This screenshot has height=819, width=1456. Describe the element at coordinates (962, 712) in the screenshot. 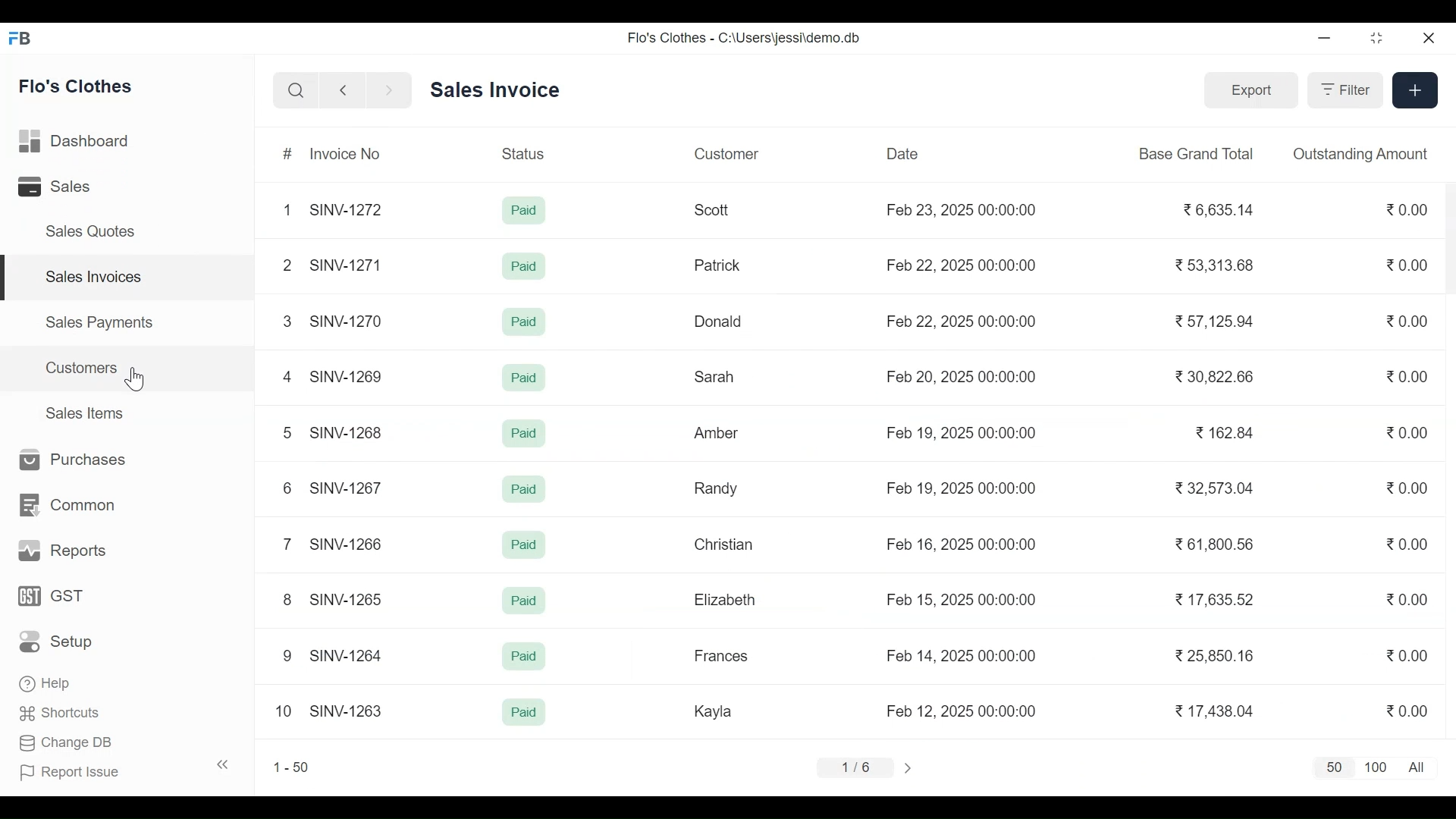

I see `Feb 12, 2025 00:00:00` at that location.